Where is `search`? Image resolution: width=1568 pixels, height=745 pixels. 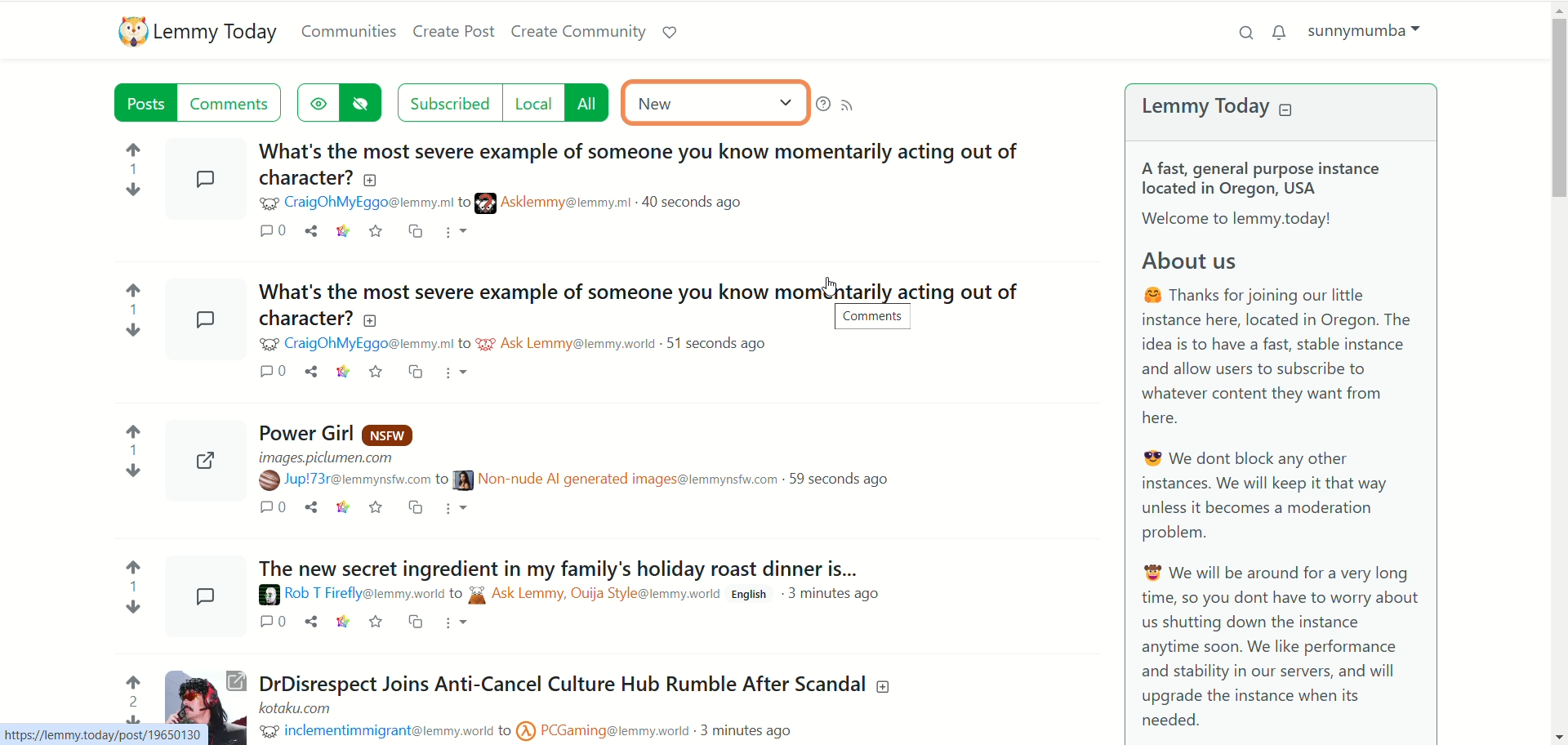
search is located at coordinates (1247, 31).